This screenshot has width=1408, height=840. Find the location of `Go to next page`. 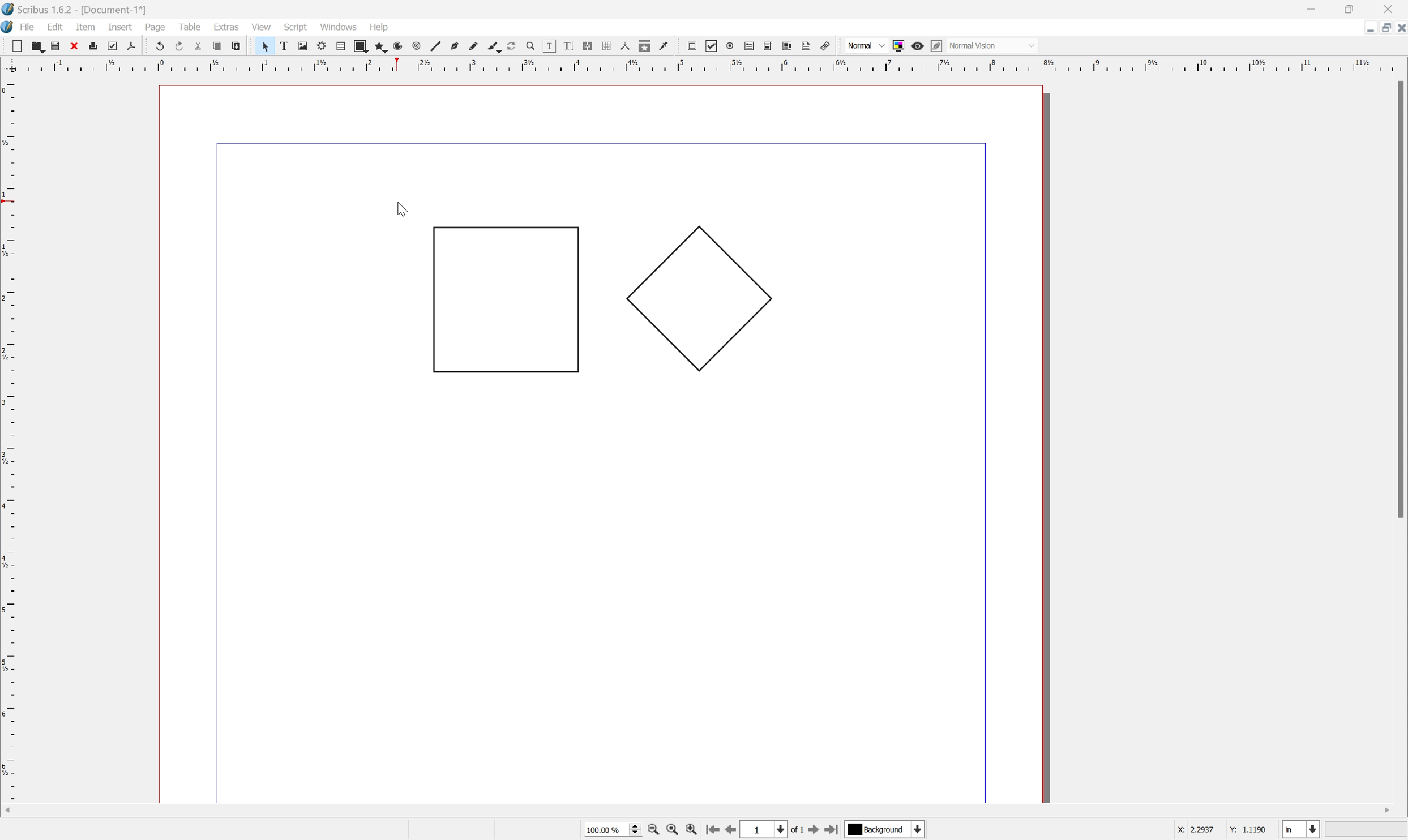

Go to next page is located at coordinates (811, 831).